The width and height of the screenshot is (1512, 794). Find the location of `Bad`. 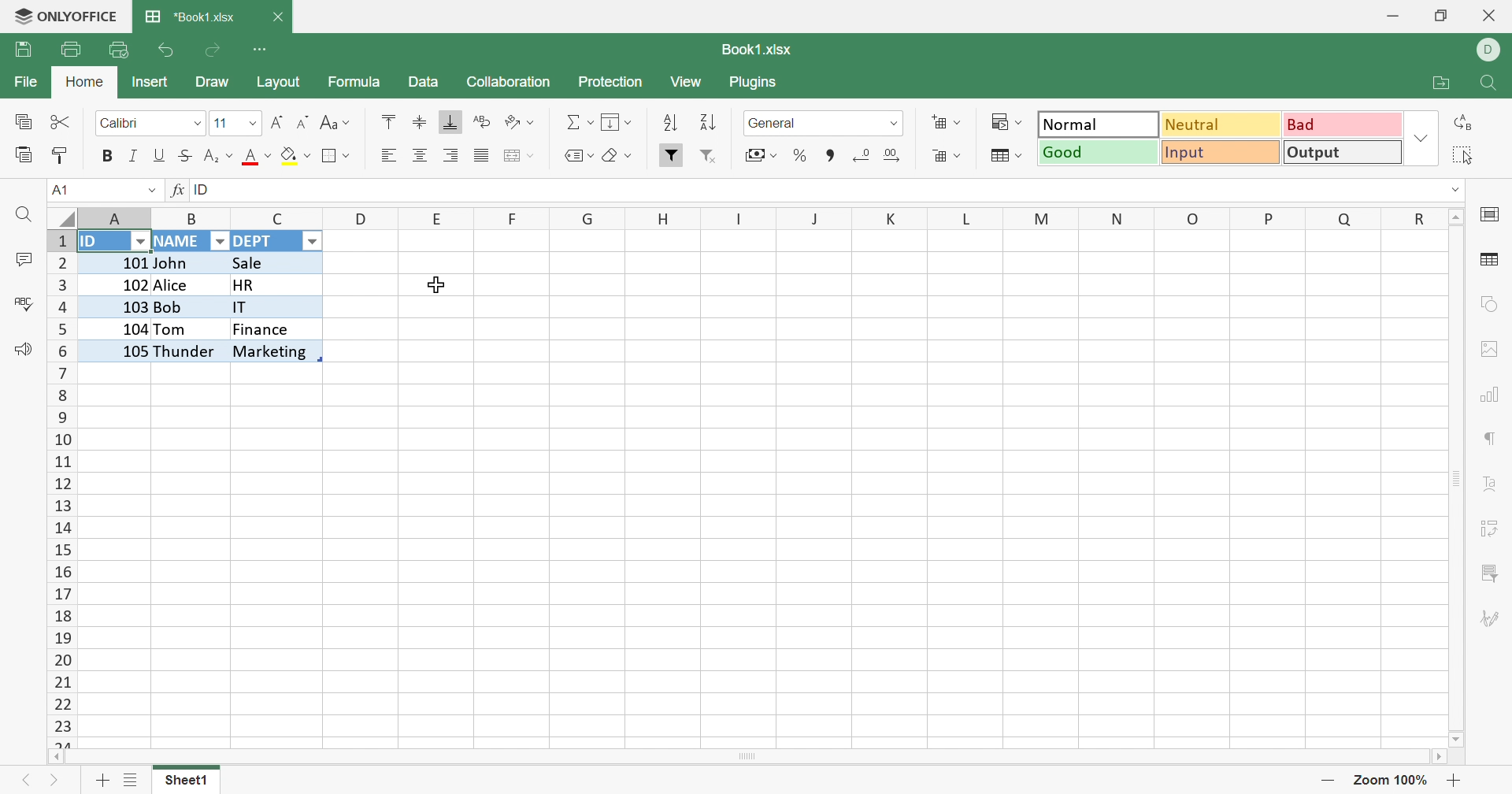

Bad is located at coordinates (1340, 128).